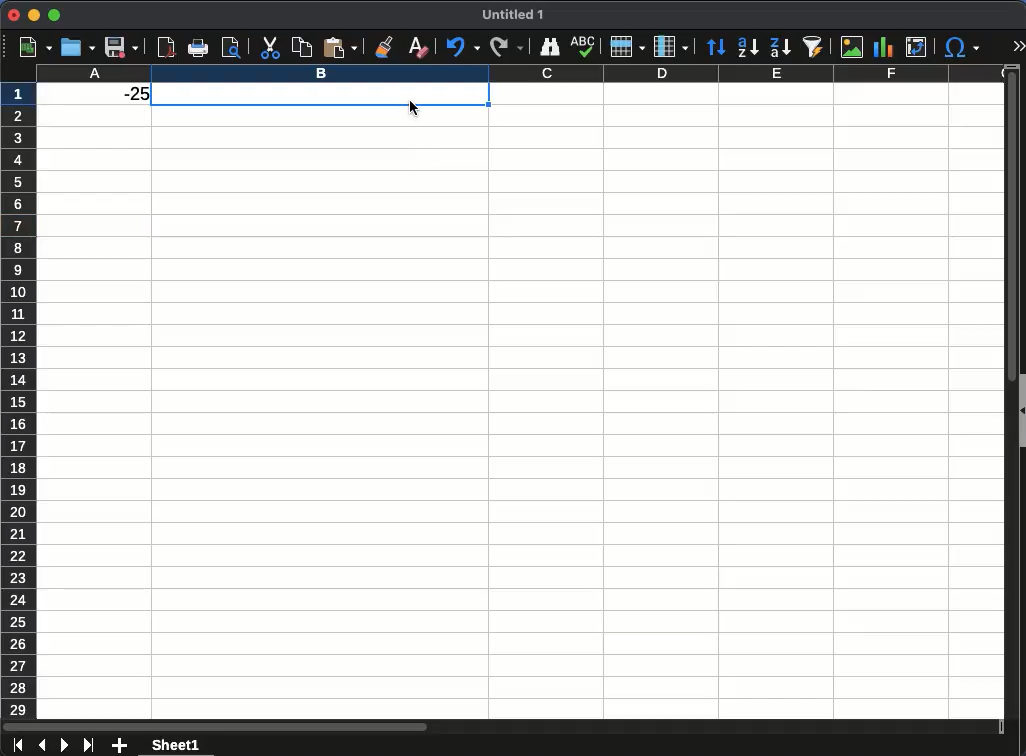 This screenshot has width=1026, height=756. What do you see at coordinates (76, 48) in the screenshot?
I see `open` at bounding box center [76, 48].